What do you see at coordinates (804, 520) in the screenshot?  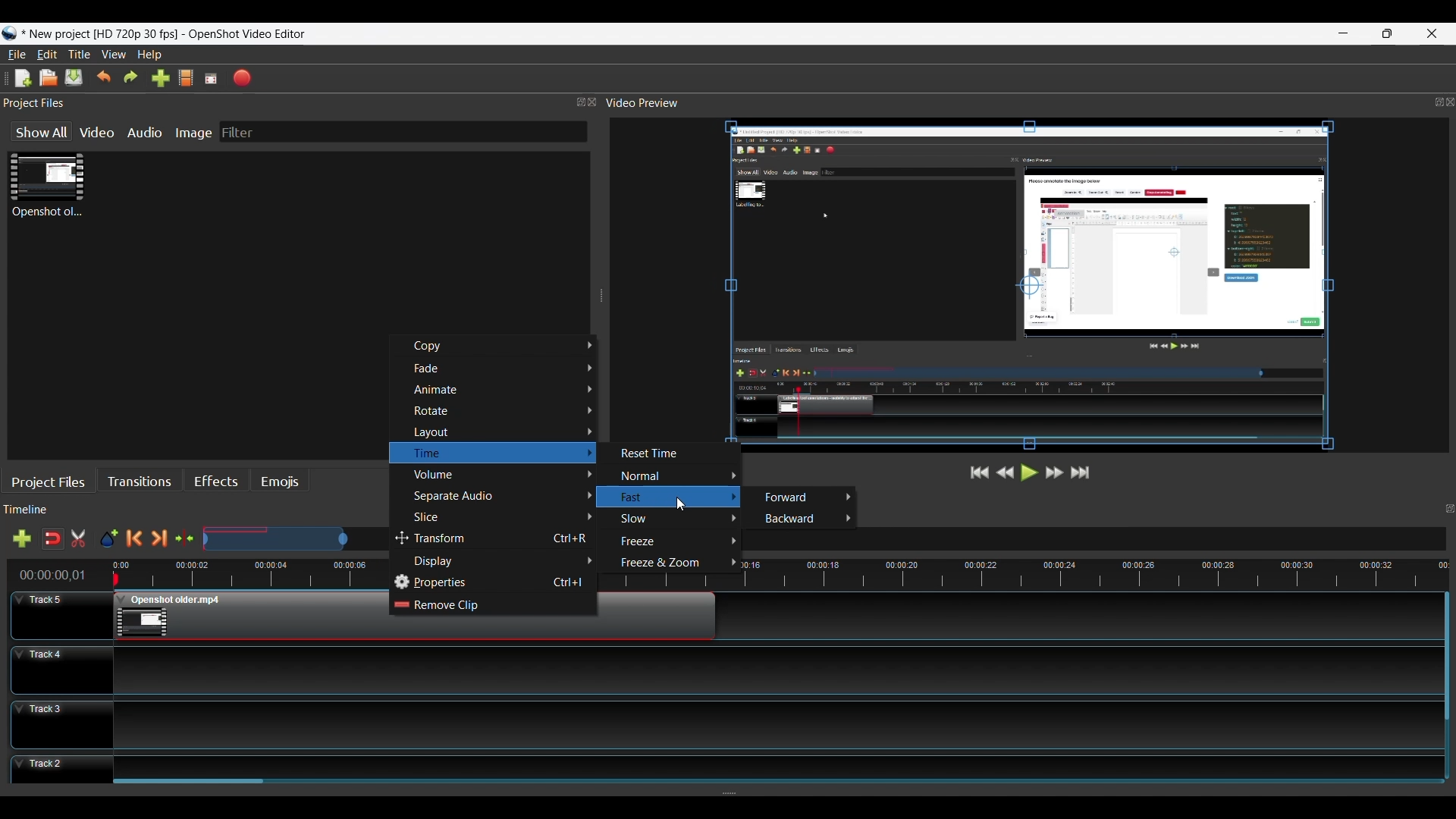 I see `Backward` at bounding box center [804, 520].